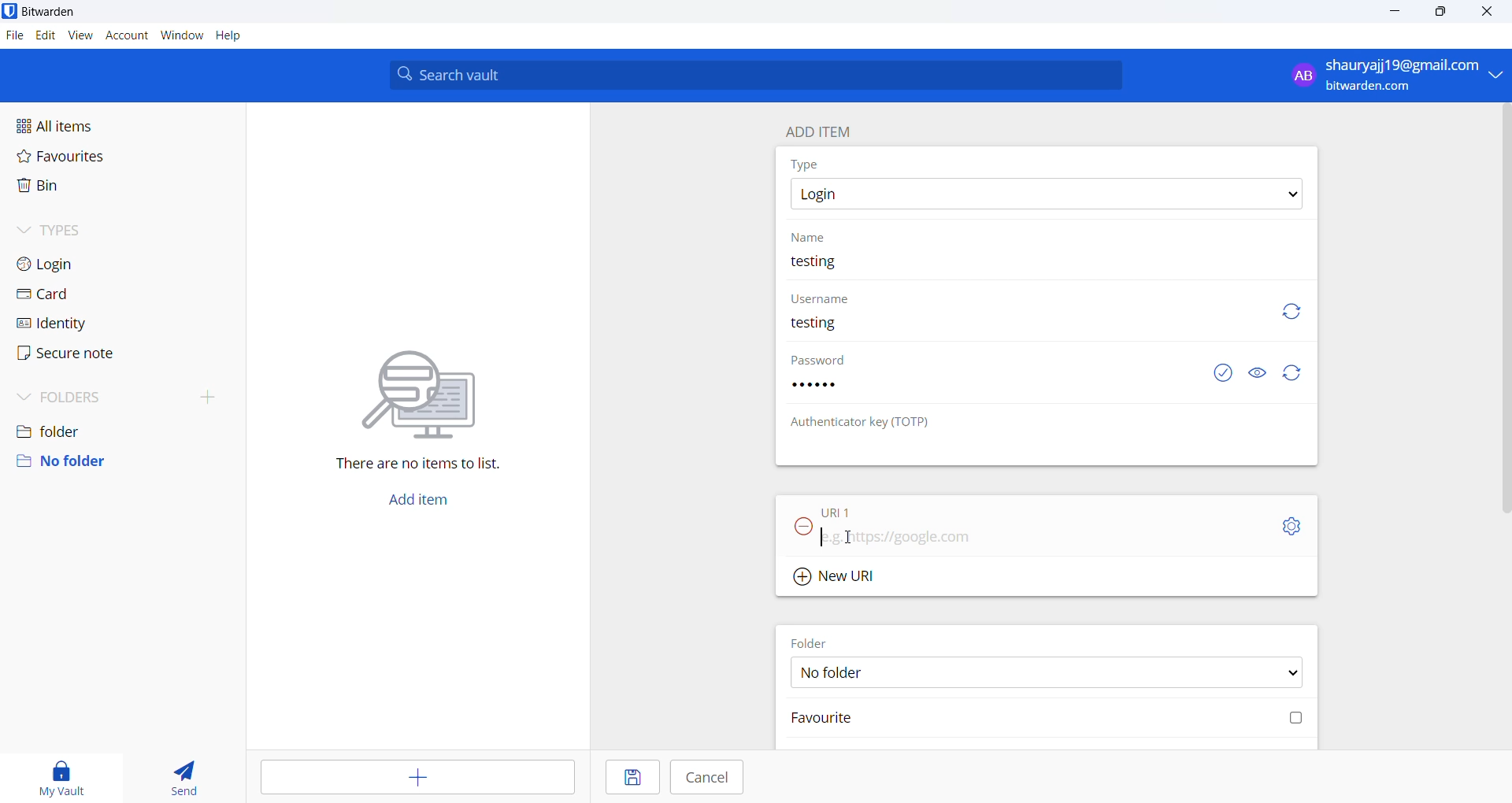  What do you see at coordinates (991, 392) in the screenshot?
I see `password input box. password added` at bounding box center [991, 392].